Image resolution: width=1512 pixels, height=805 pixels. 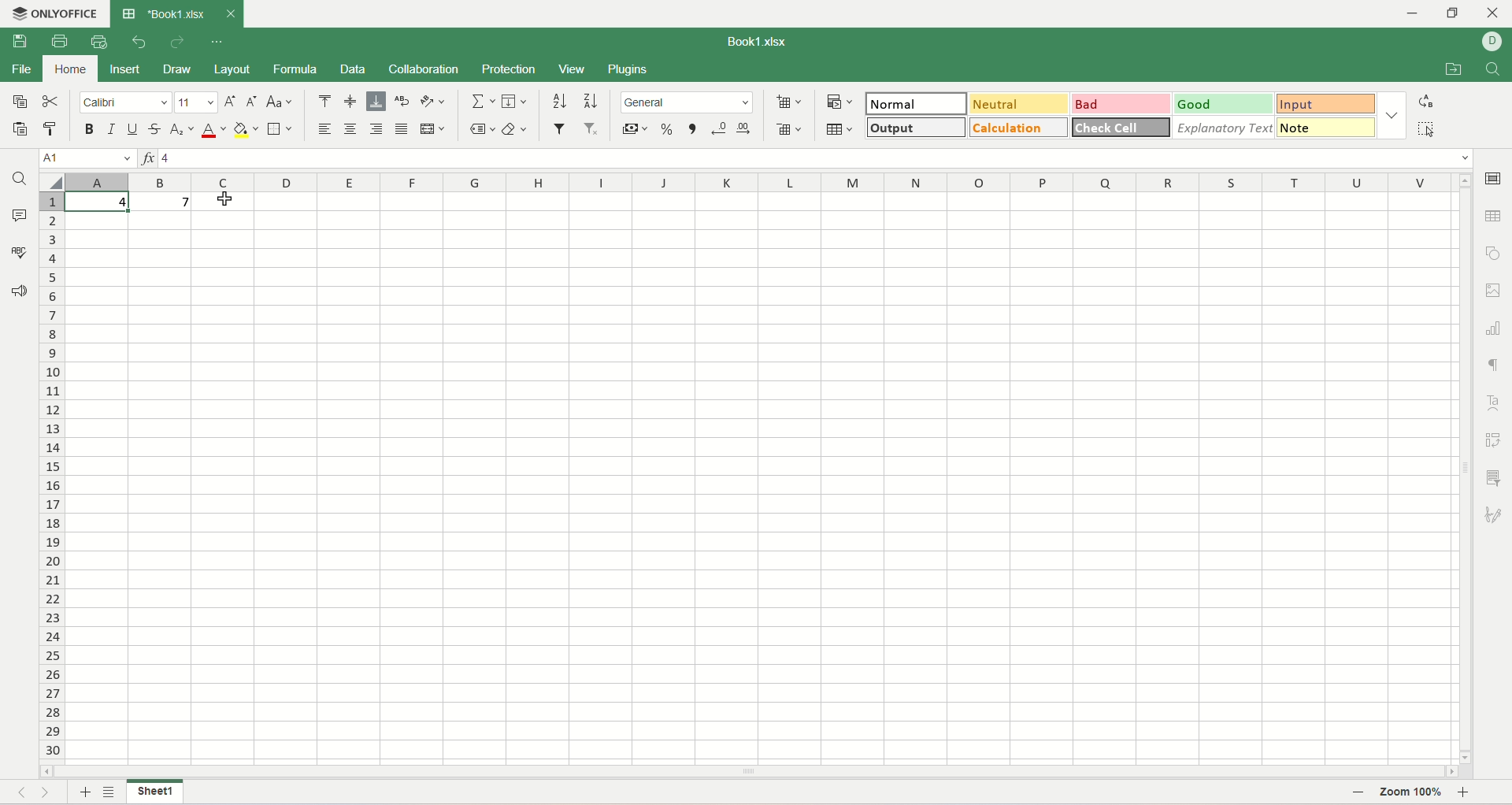 I want to click on neutral, so click(x=1020, y=102).